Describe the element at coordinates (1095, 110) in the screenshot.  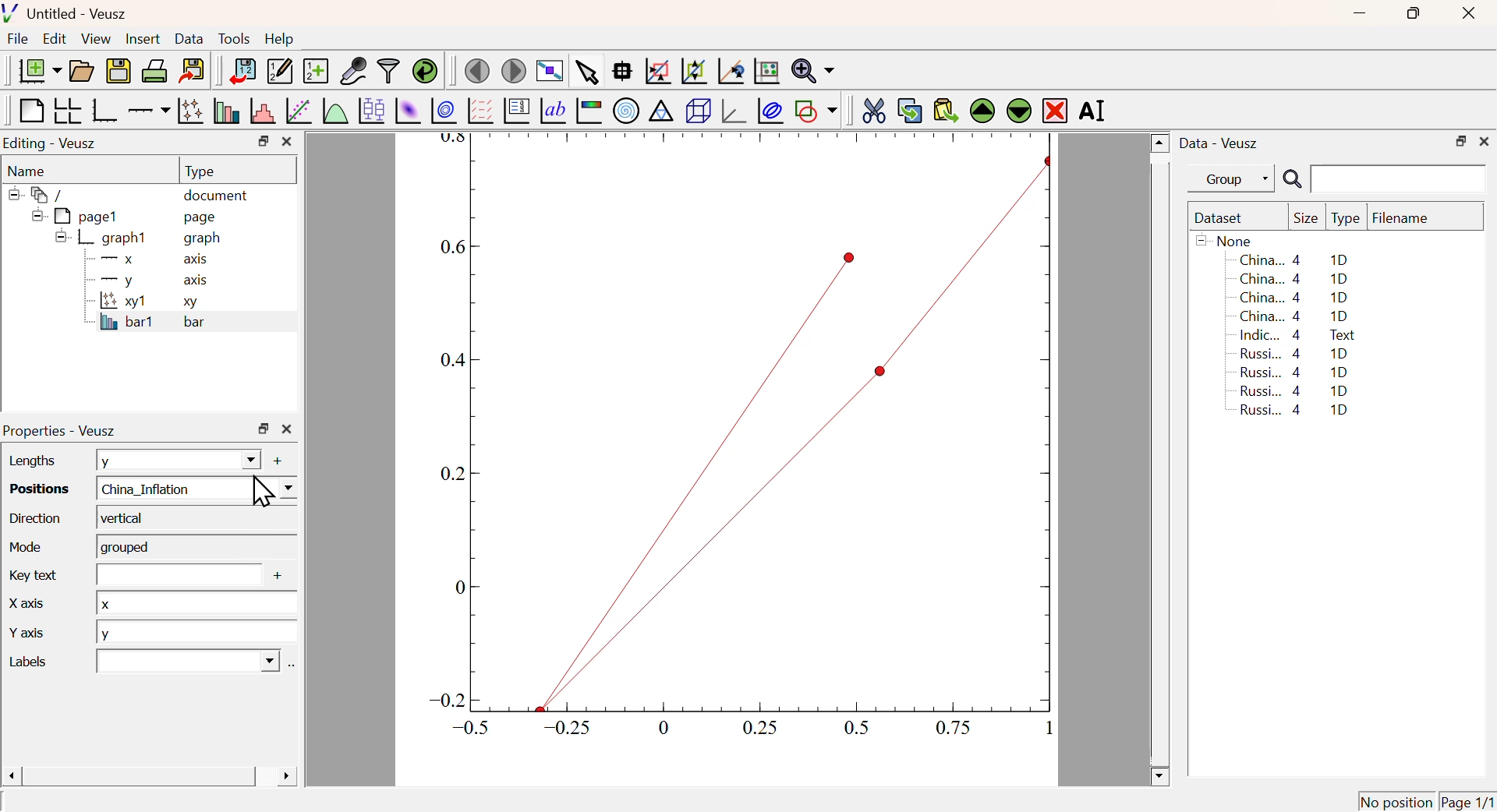
I see `Rename` at that location.